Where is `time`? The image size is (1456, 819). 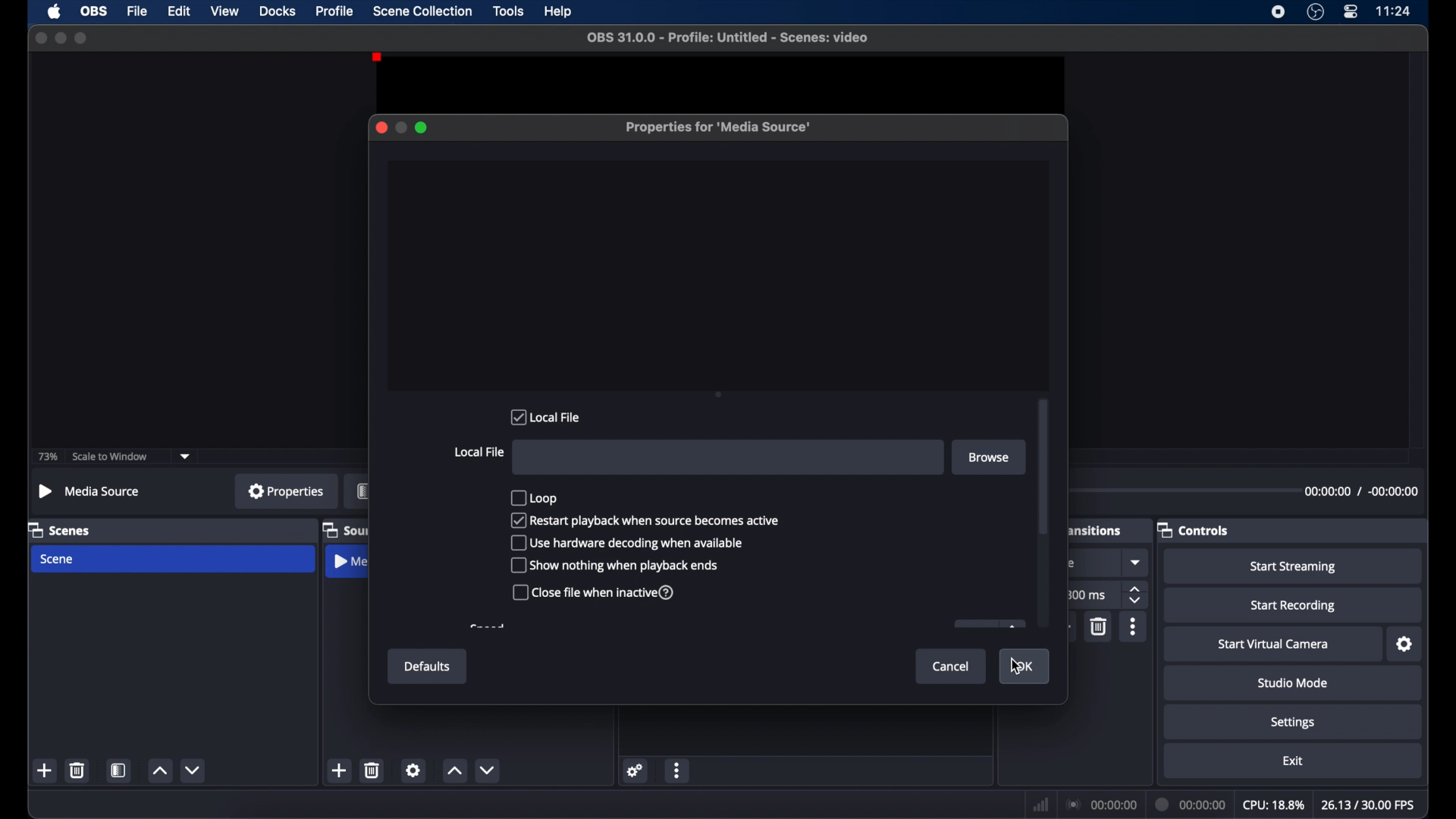
time is located at coordinates (1393, 11).